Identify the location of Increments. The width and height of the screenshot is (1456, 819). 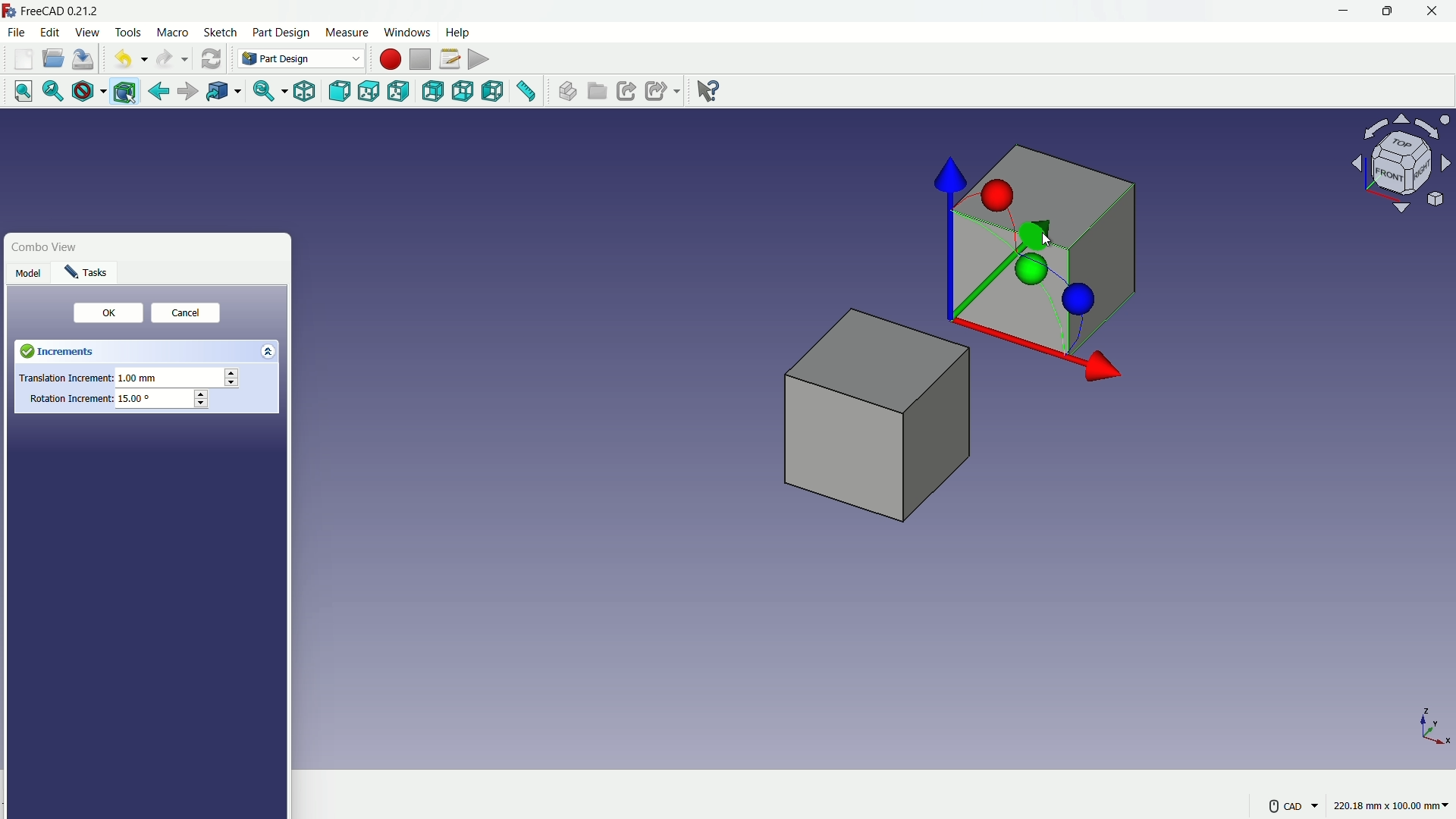
(93, 350).